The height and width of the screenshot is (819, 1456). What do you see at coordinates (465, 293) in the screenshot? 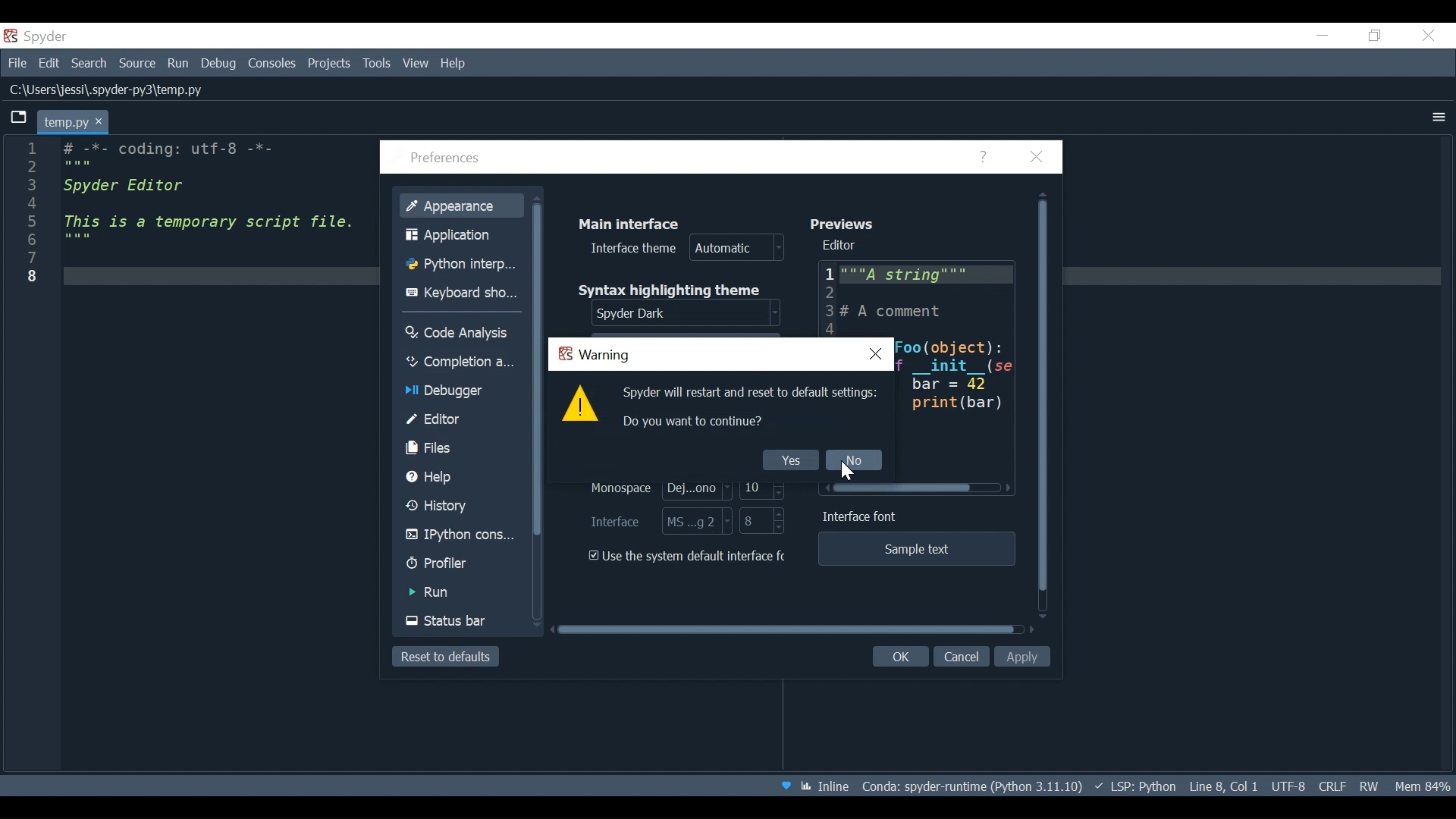
I see `Keyboard Shortcuts` at bounding box center [465, 293].